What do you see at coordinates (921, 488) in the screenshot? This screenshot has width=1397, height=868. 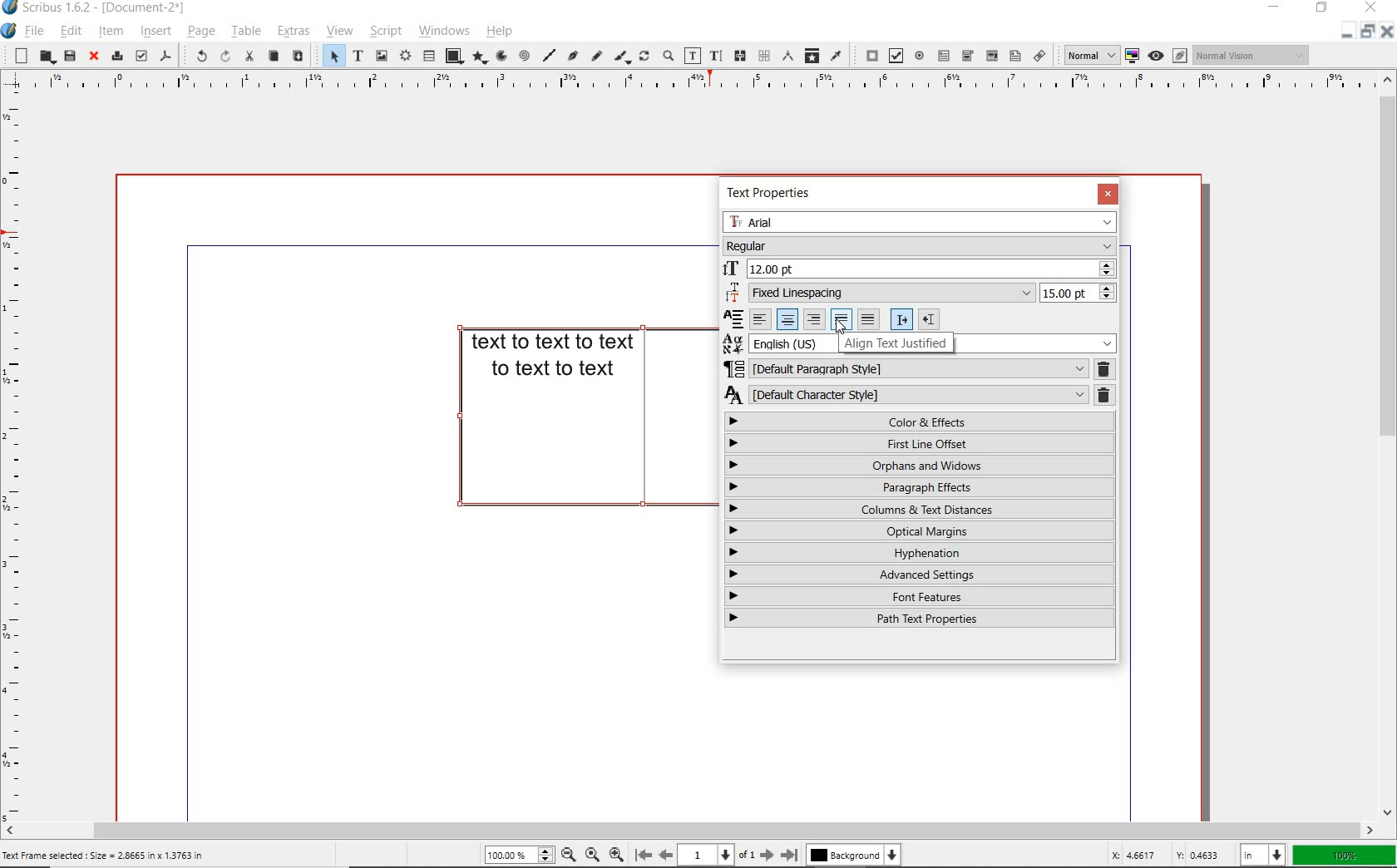 I see `PARAGRAPH EFFECTS` at bounding box center [921, 488].